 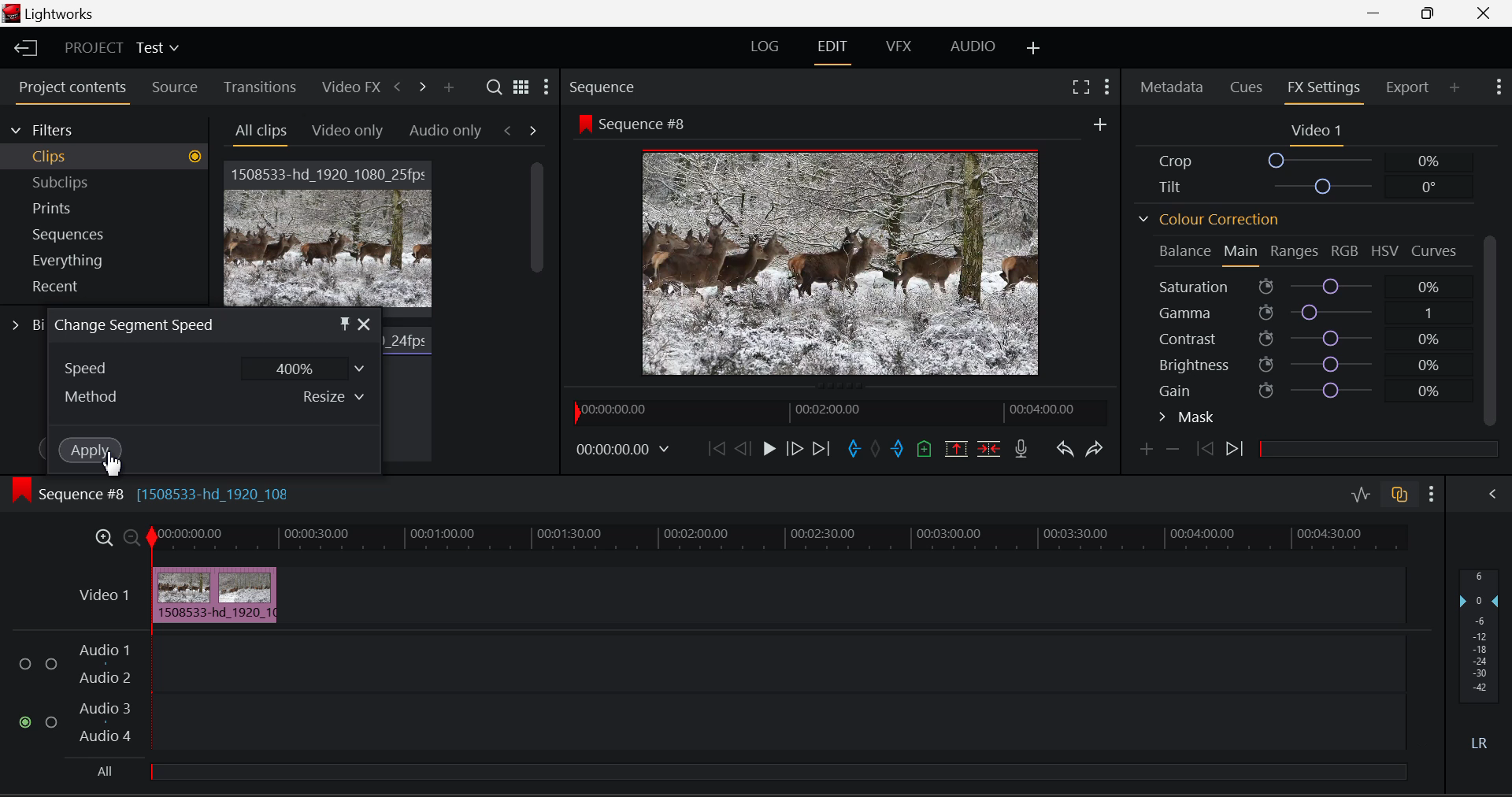 What do you see at coordinates (1295, 252) in the screenshot?
I see `Ranges` at bounding box center [1295, 252].